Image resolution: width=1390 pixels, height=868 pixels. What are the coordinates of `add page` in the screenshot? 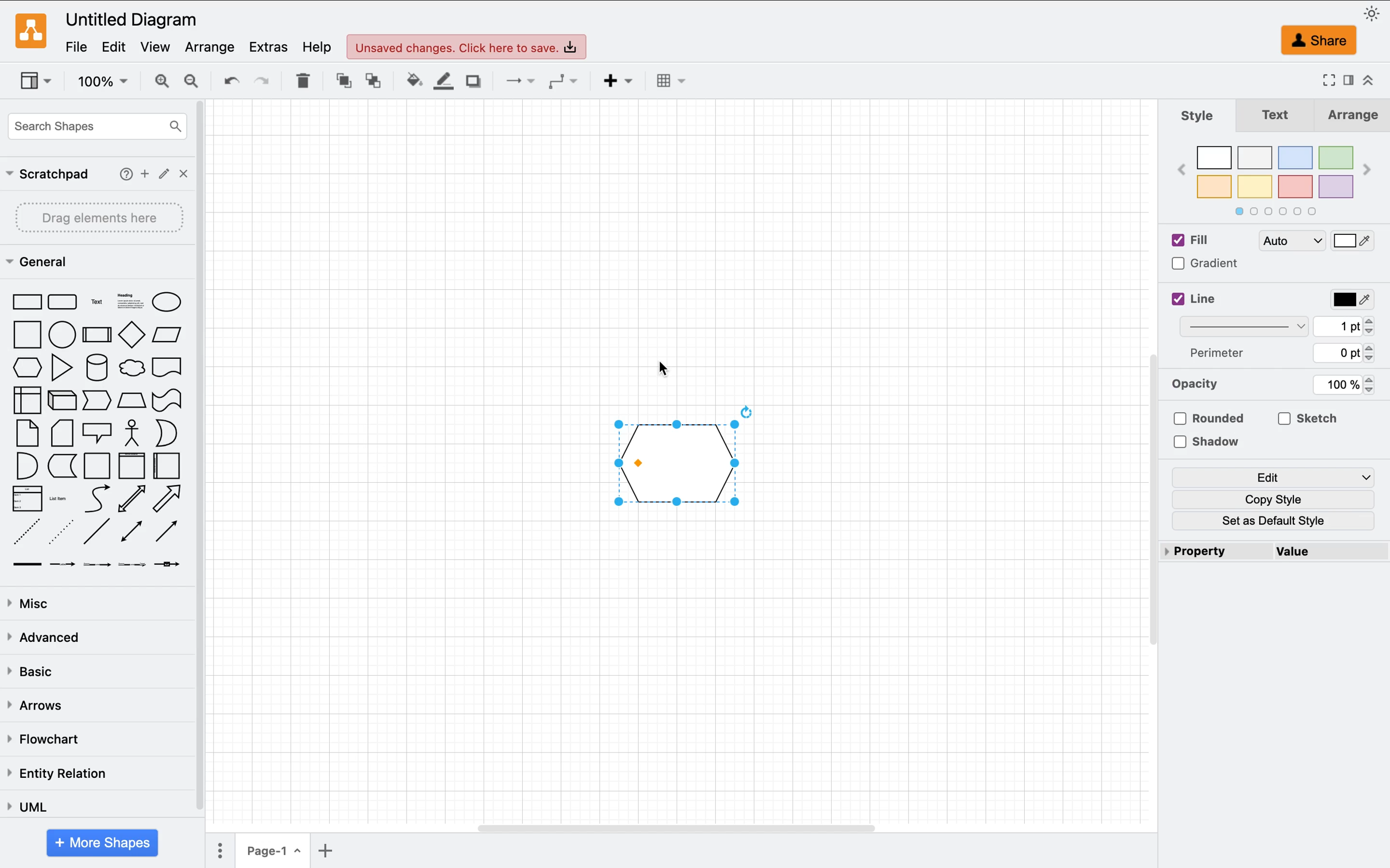 It's located at (334, 851).